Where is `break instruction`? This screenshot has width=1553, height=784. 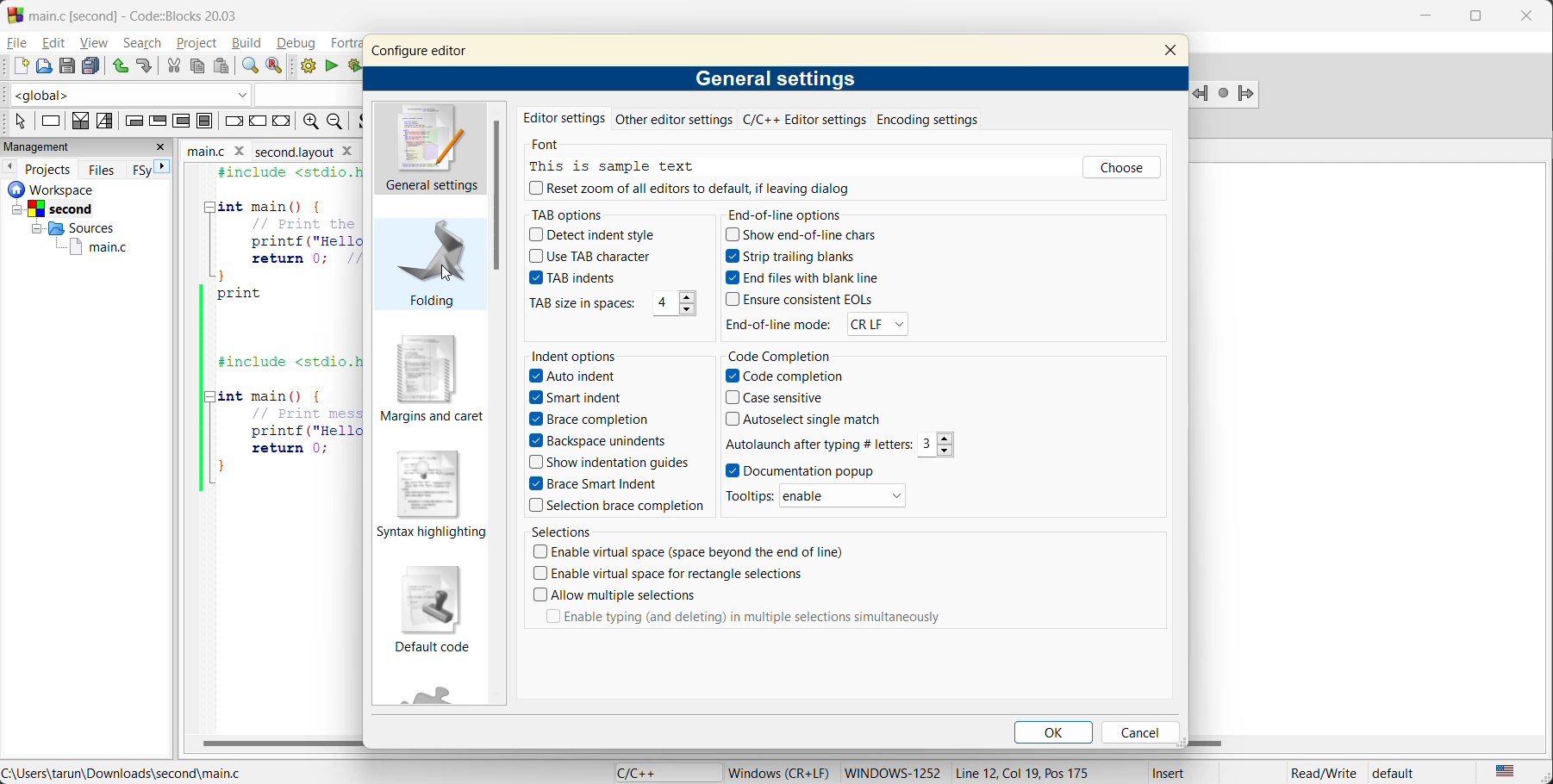 break instruction is located at coordinates (233, 122).